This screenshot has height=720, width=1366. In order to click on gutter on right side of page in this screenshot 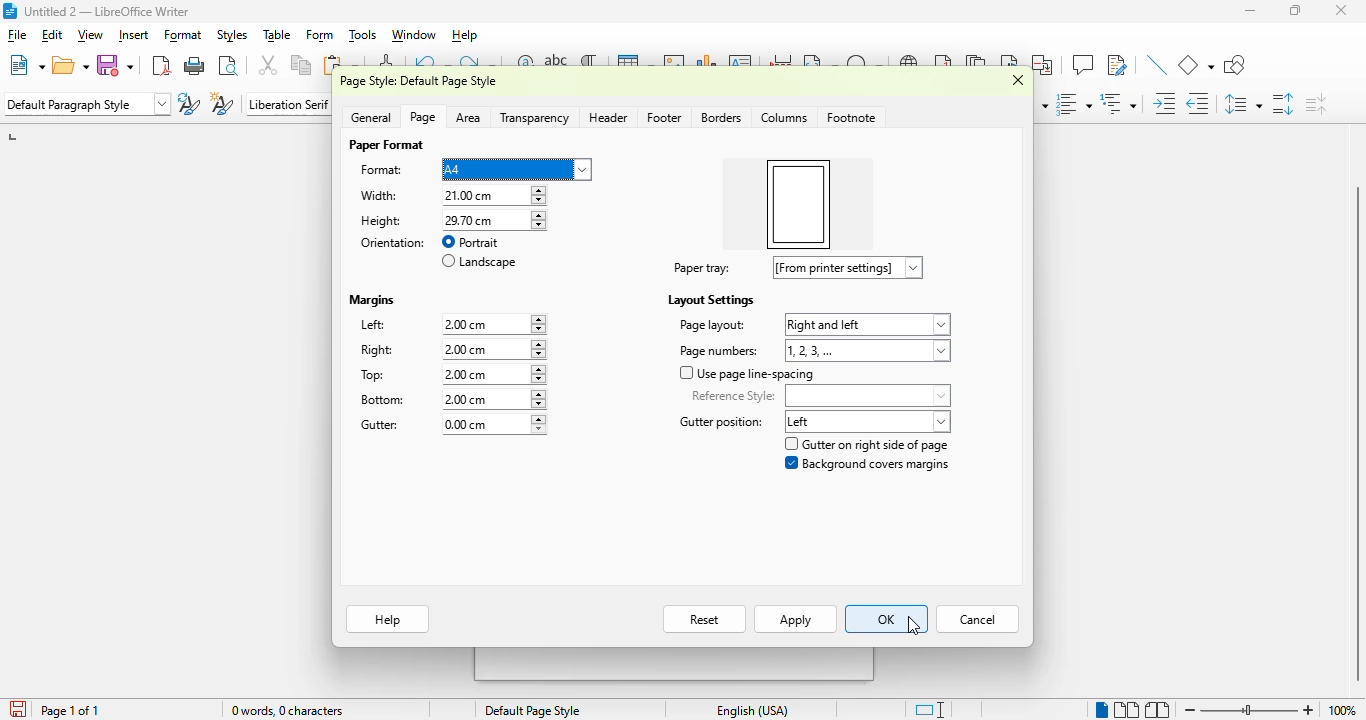, I will do `click(867, 444)`.